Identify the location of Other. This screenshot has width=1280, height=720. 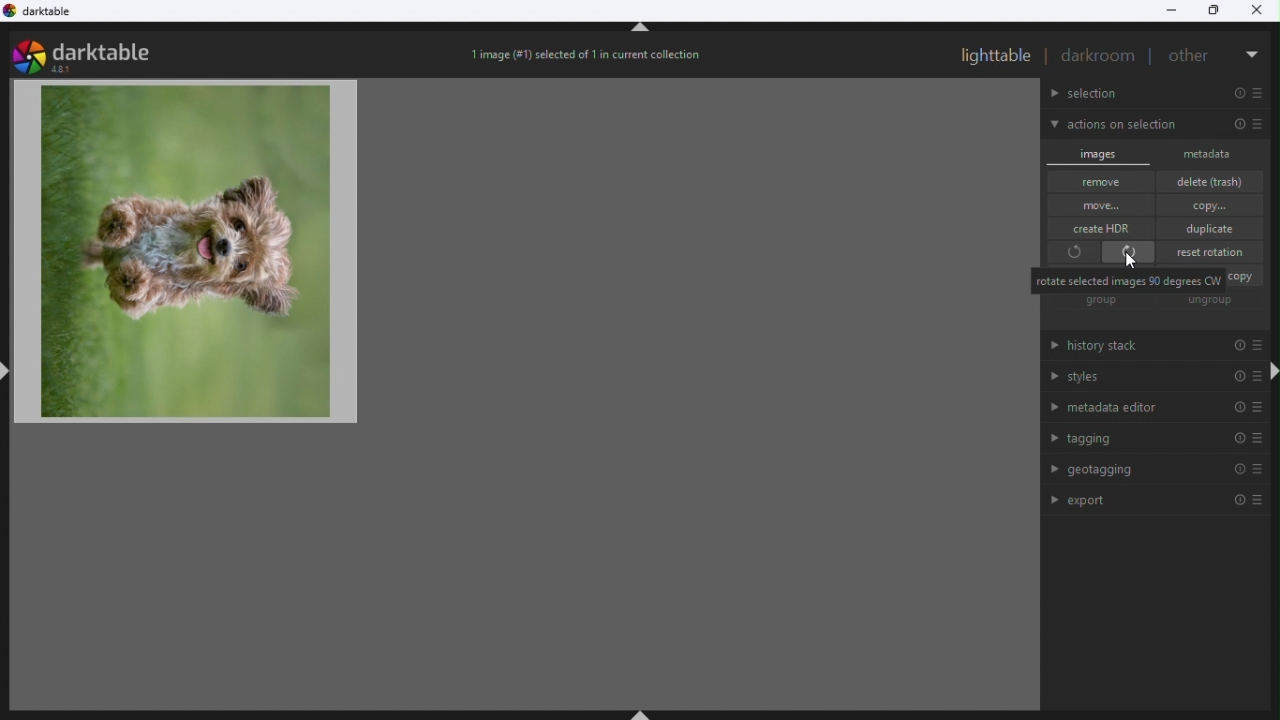
(1192, 53).